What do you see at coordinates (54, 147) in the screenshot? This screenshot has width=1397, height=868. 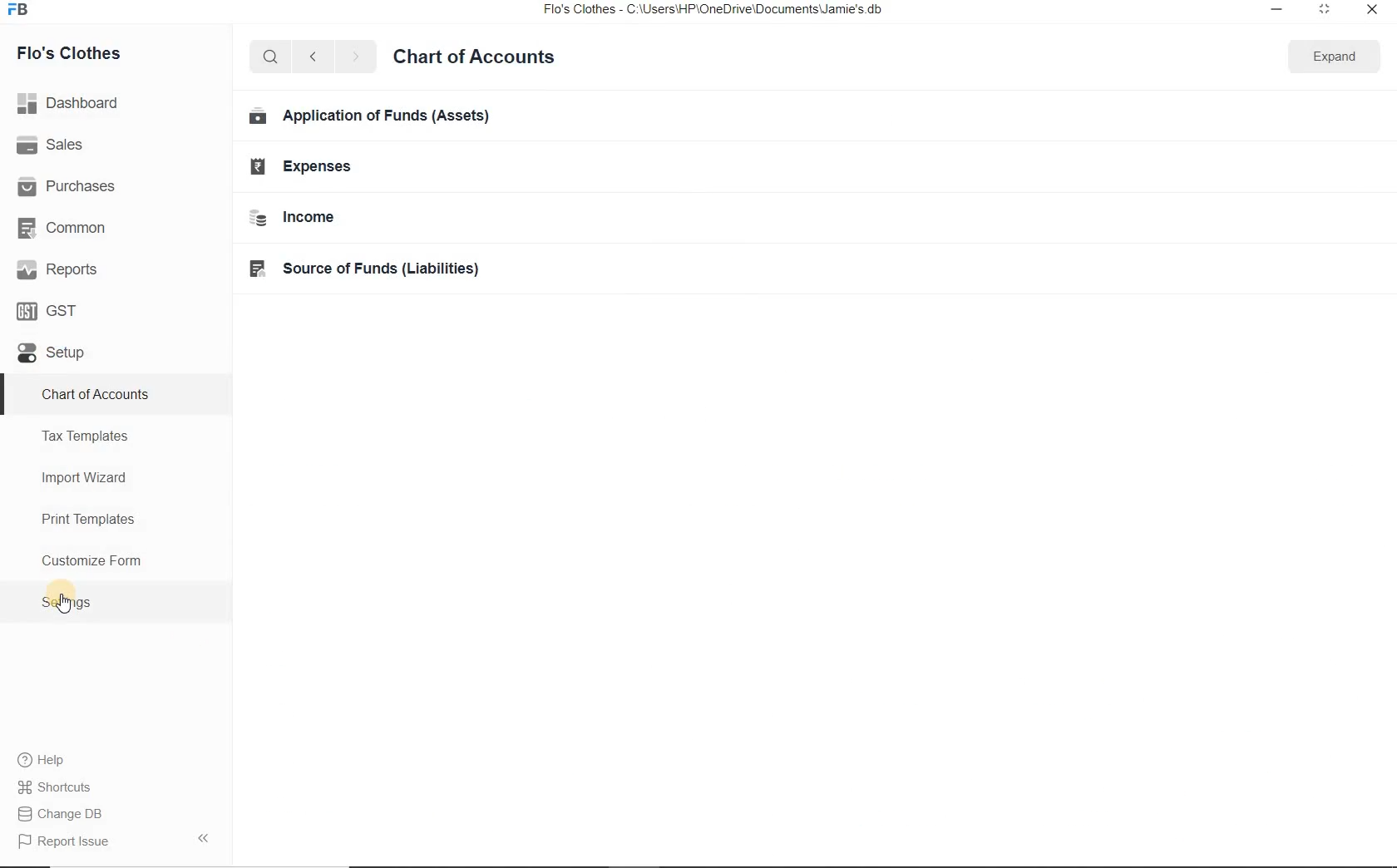 I see `Sales` at bounding box center [54, 147].